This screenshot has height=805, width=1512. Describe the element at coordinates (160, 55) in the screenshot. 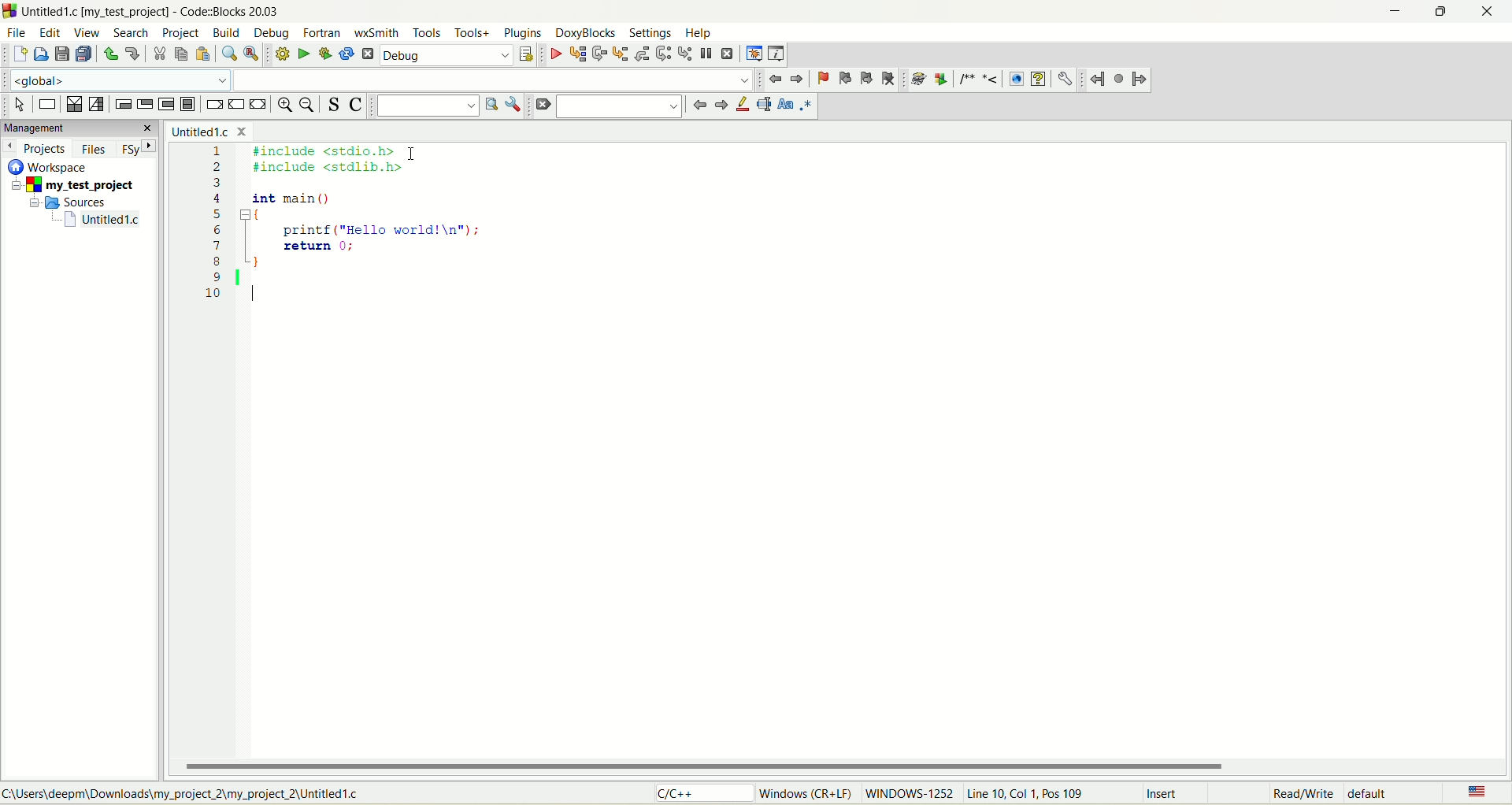

I see `cut` at that location.